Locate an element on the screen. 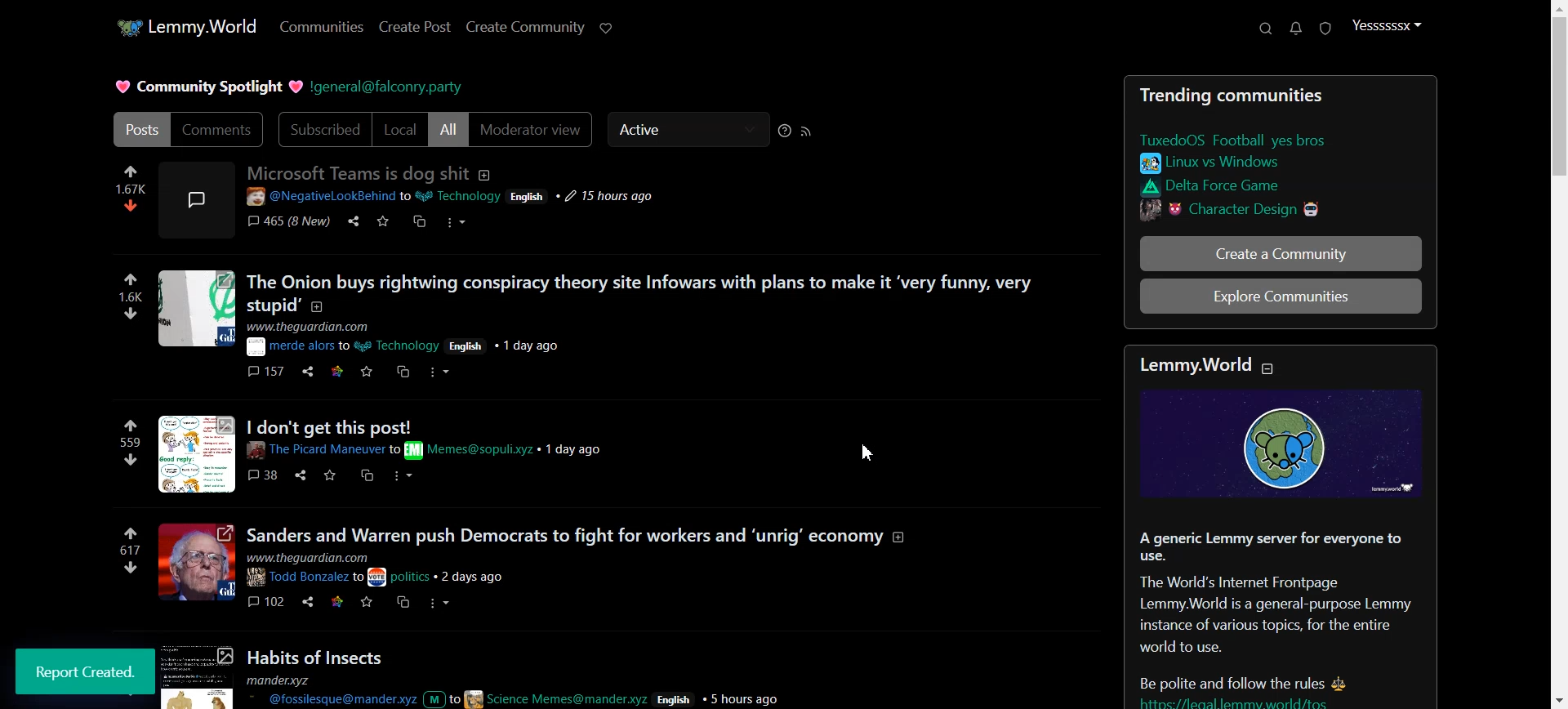 The image size is (1568, 709). Cursor is located at coordinates (869, 452).